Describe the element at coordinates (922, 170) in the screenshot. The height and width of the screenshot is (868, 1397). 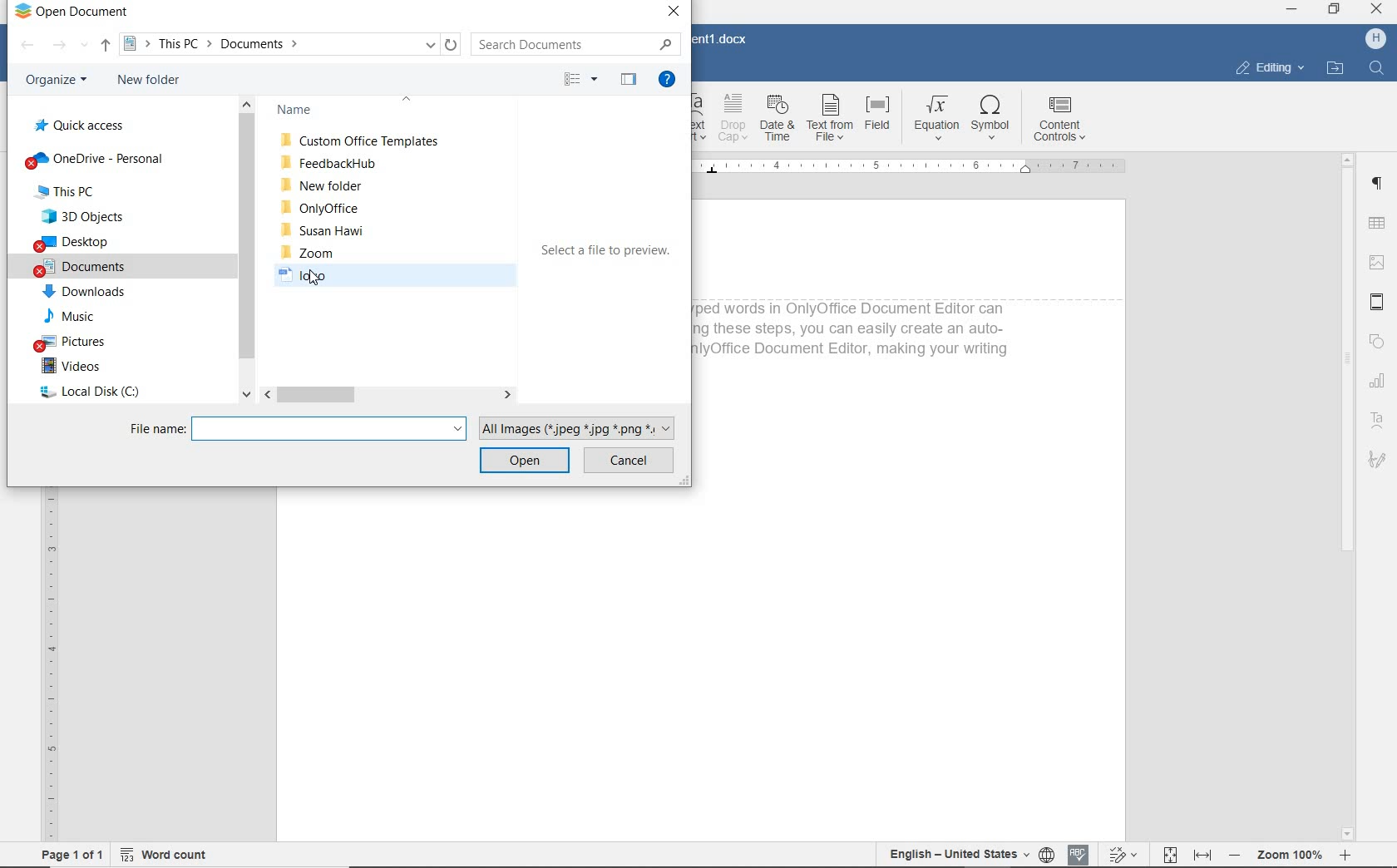
I see `RULER` at that location.